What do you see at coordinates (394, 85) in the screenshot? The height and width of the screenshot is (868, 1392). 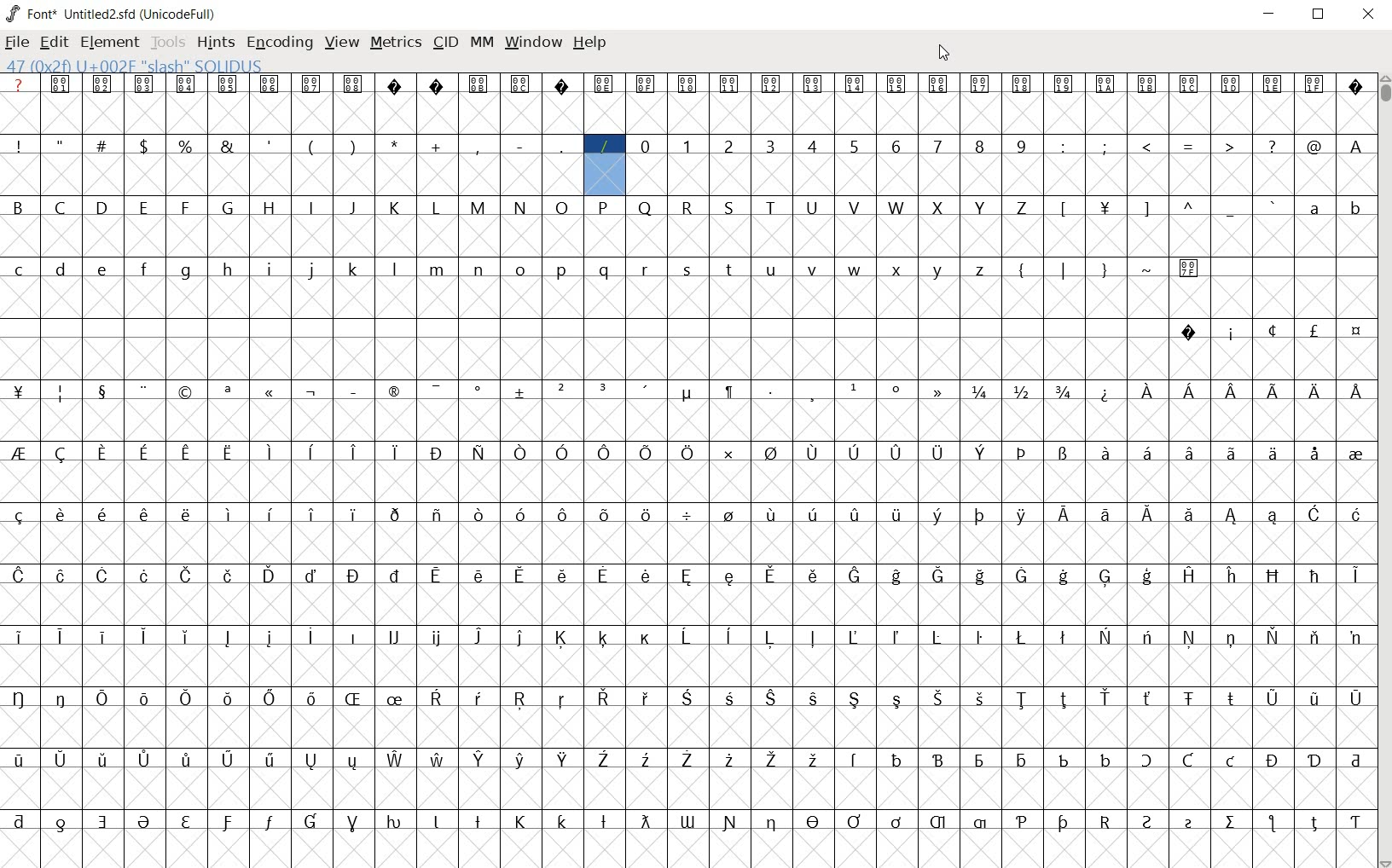 I see `glyph` at bounding box center [394, 85].